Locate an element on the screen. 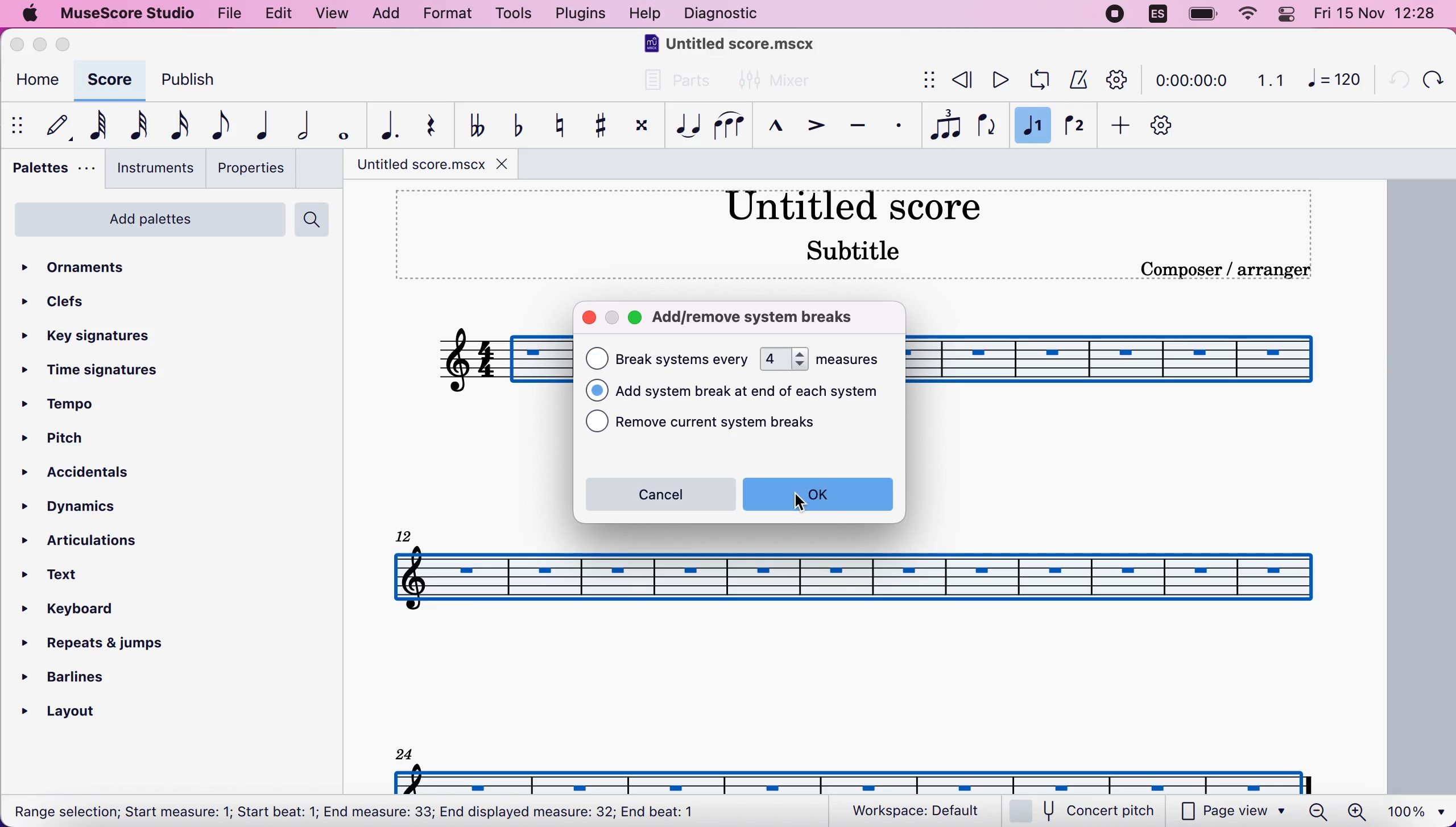 This screenshot has height=827, width=1456. voice 2 is located at coordinates (1076, 127).